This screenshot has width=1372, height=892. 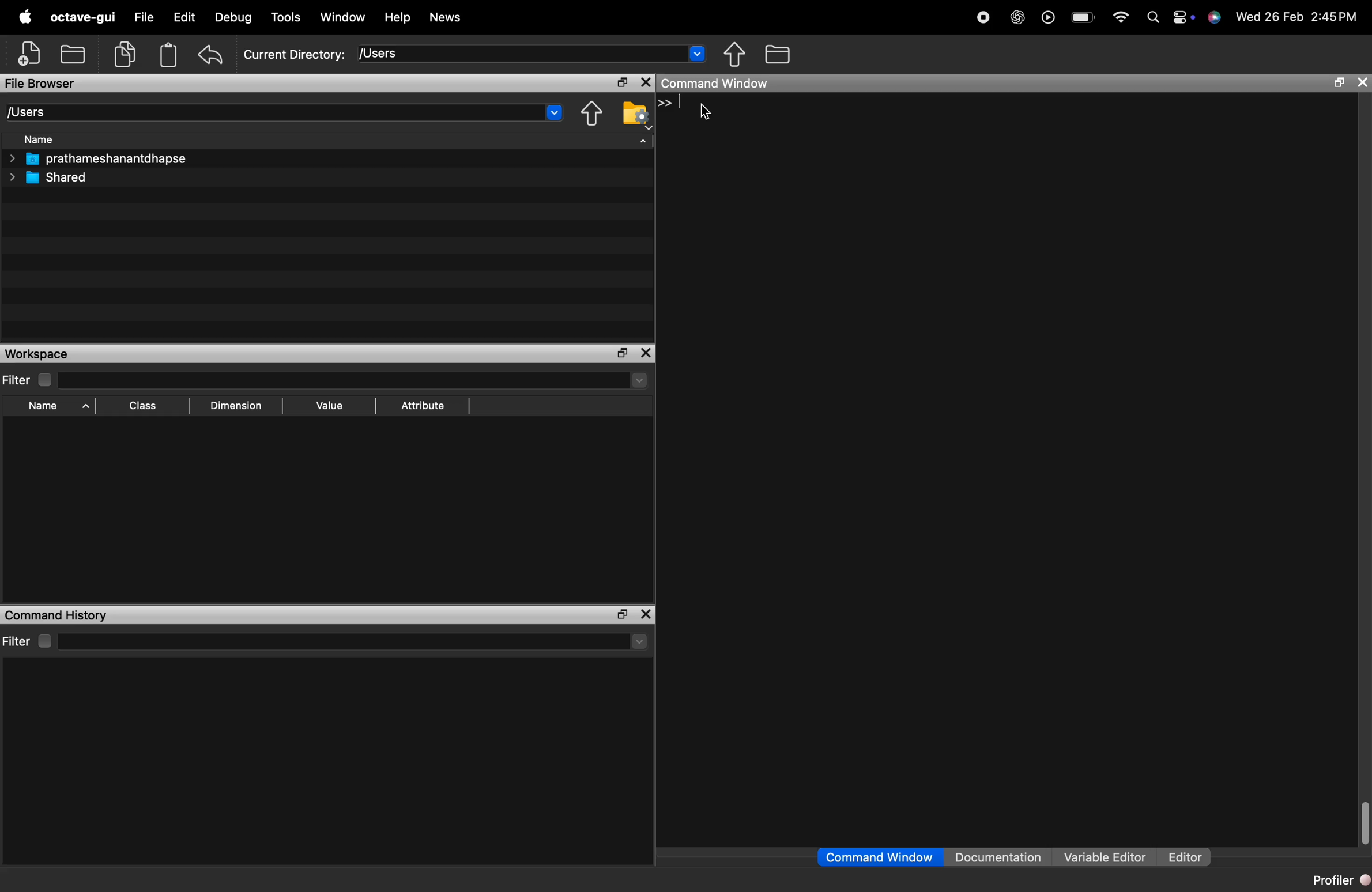 I want to click on Users, so click(x=38, y=109).